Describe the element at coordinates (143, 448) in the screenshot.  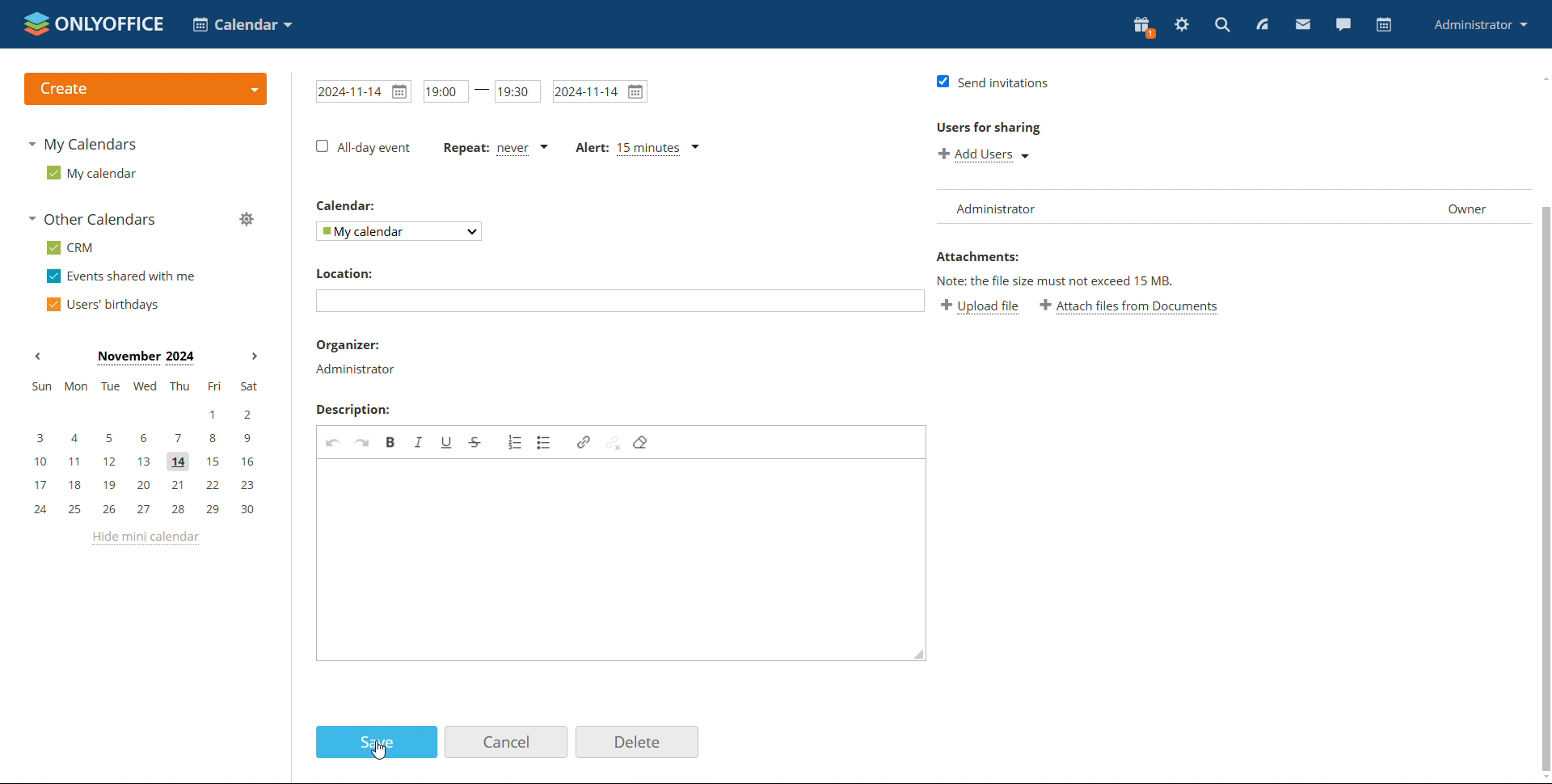
I see `mini calendar` at that location.